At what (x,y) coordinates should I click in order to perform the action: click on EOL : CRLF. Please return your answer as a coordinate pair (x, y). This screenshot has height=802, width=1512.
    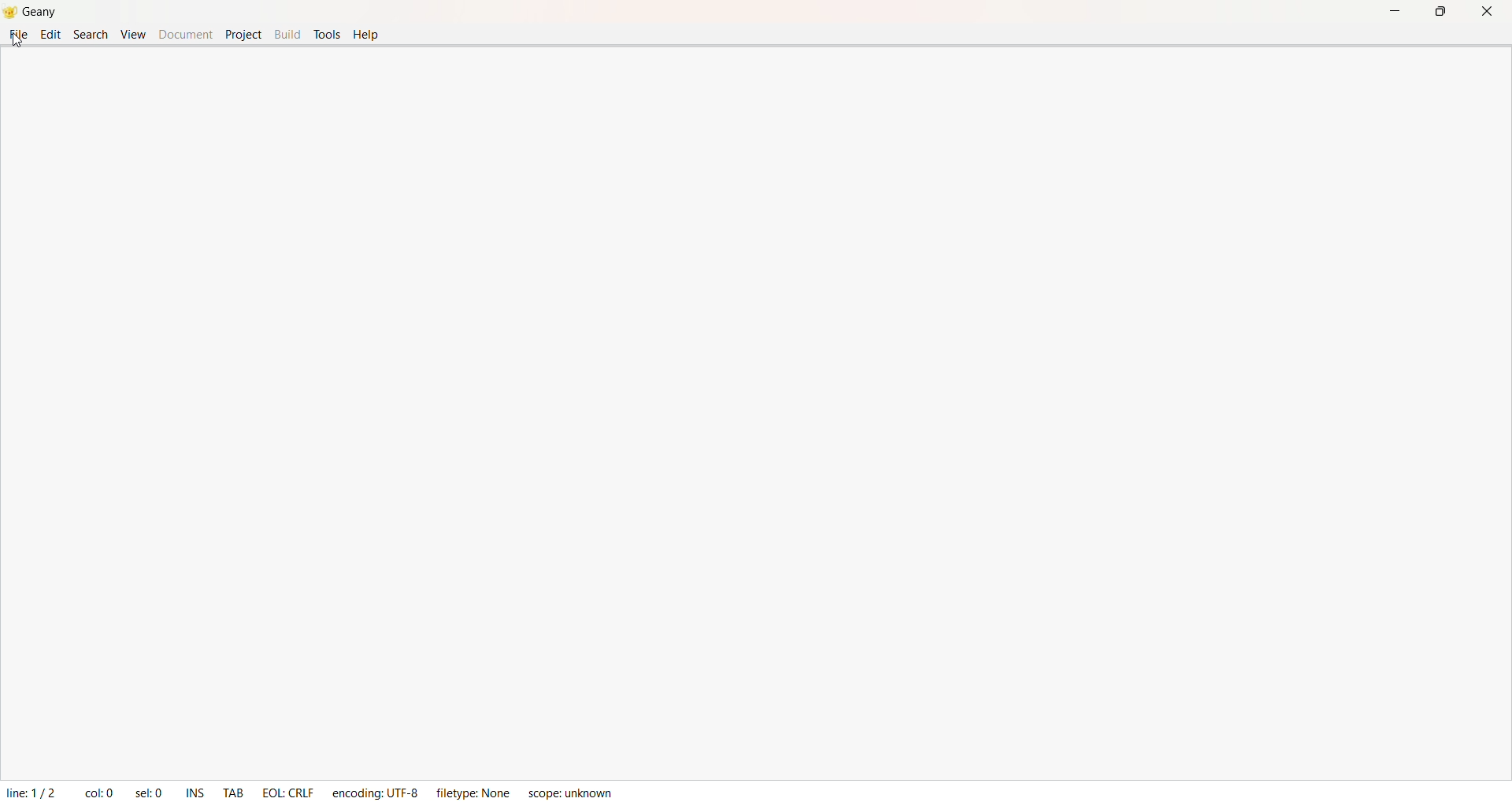
    Looking at the image, I should click on (285, 793).